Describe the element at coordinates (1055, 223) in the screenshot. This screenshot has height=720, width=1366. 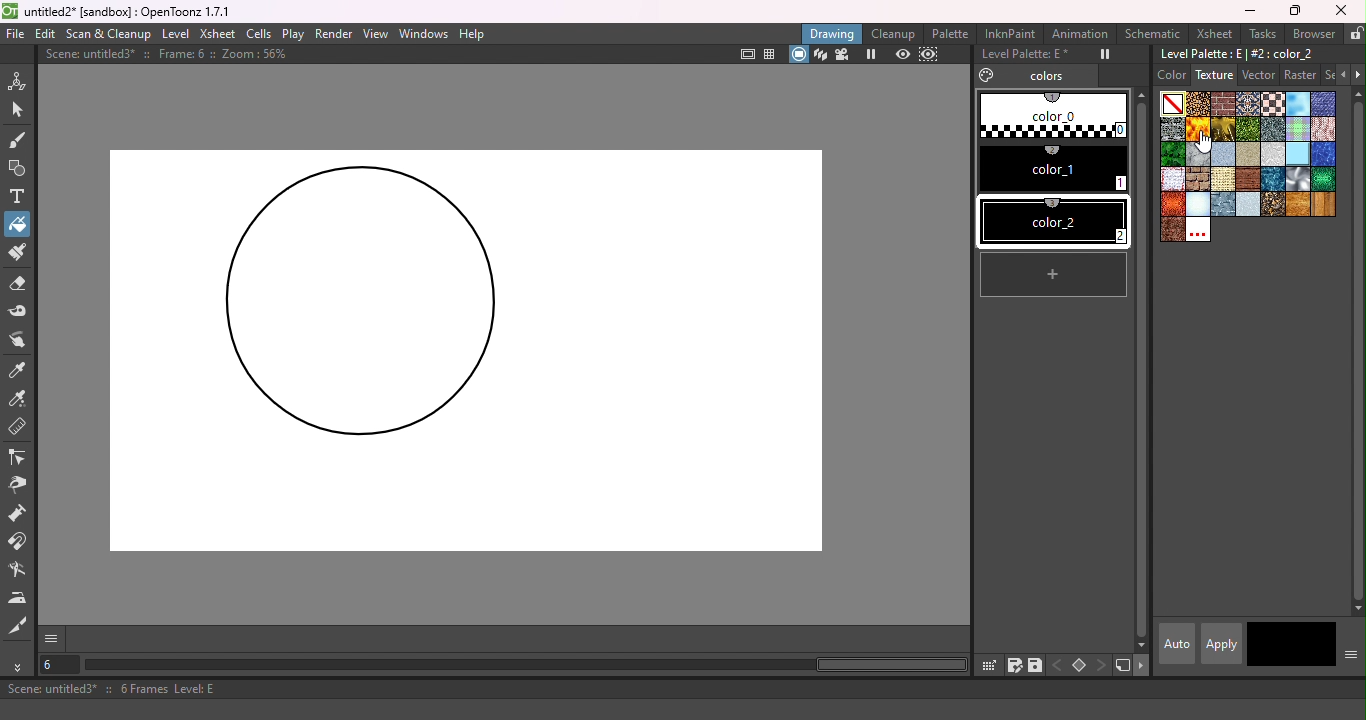
I see `#2 color_2` at that location.